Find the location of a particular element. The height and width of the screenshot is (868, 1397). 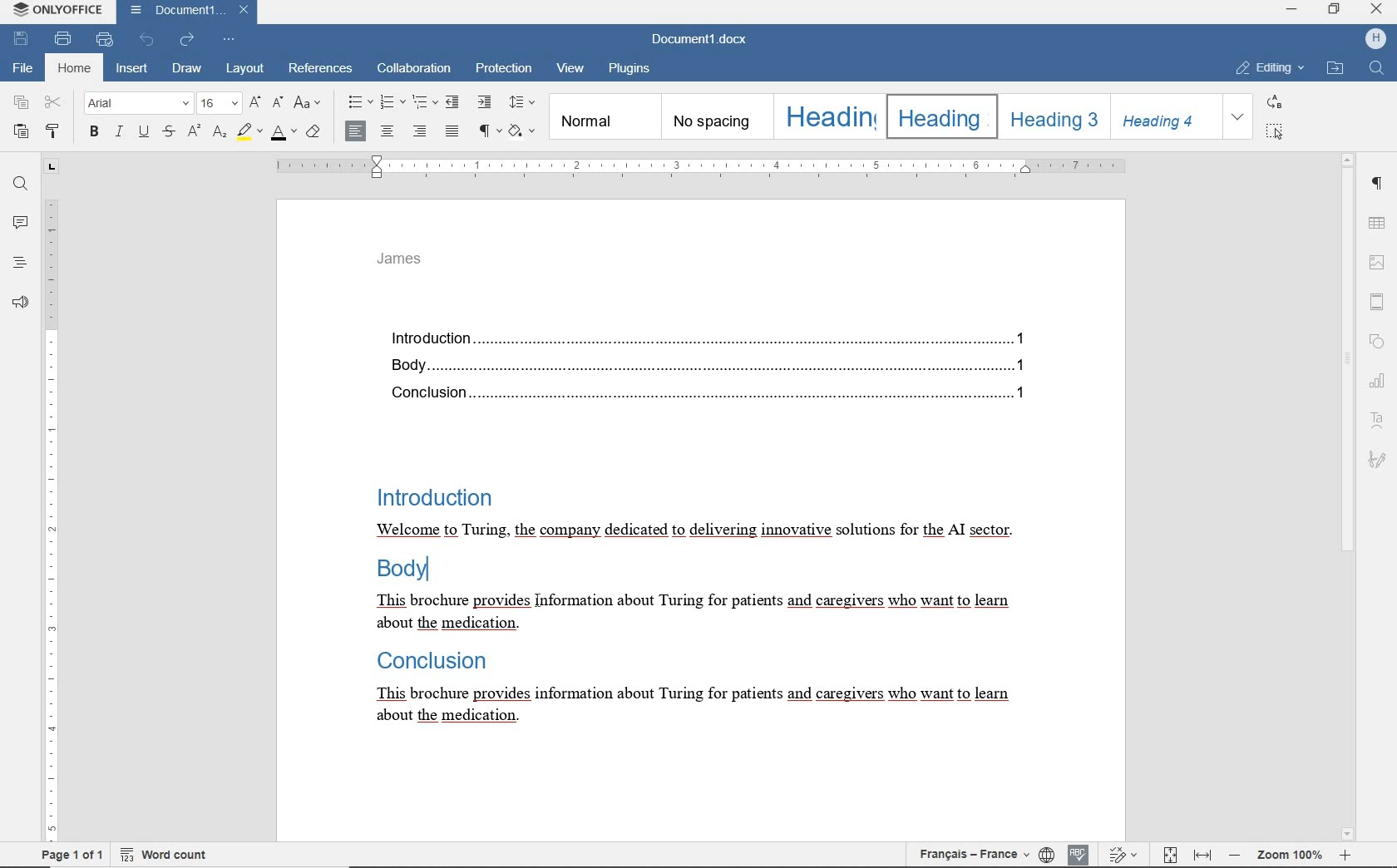

CUSTOMIZE QUICK ACCESS TOOLBAR is located at coordinates (230, 40).